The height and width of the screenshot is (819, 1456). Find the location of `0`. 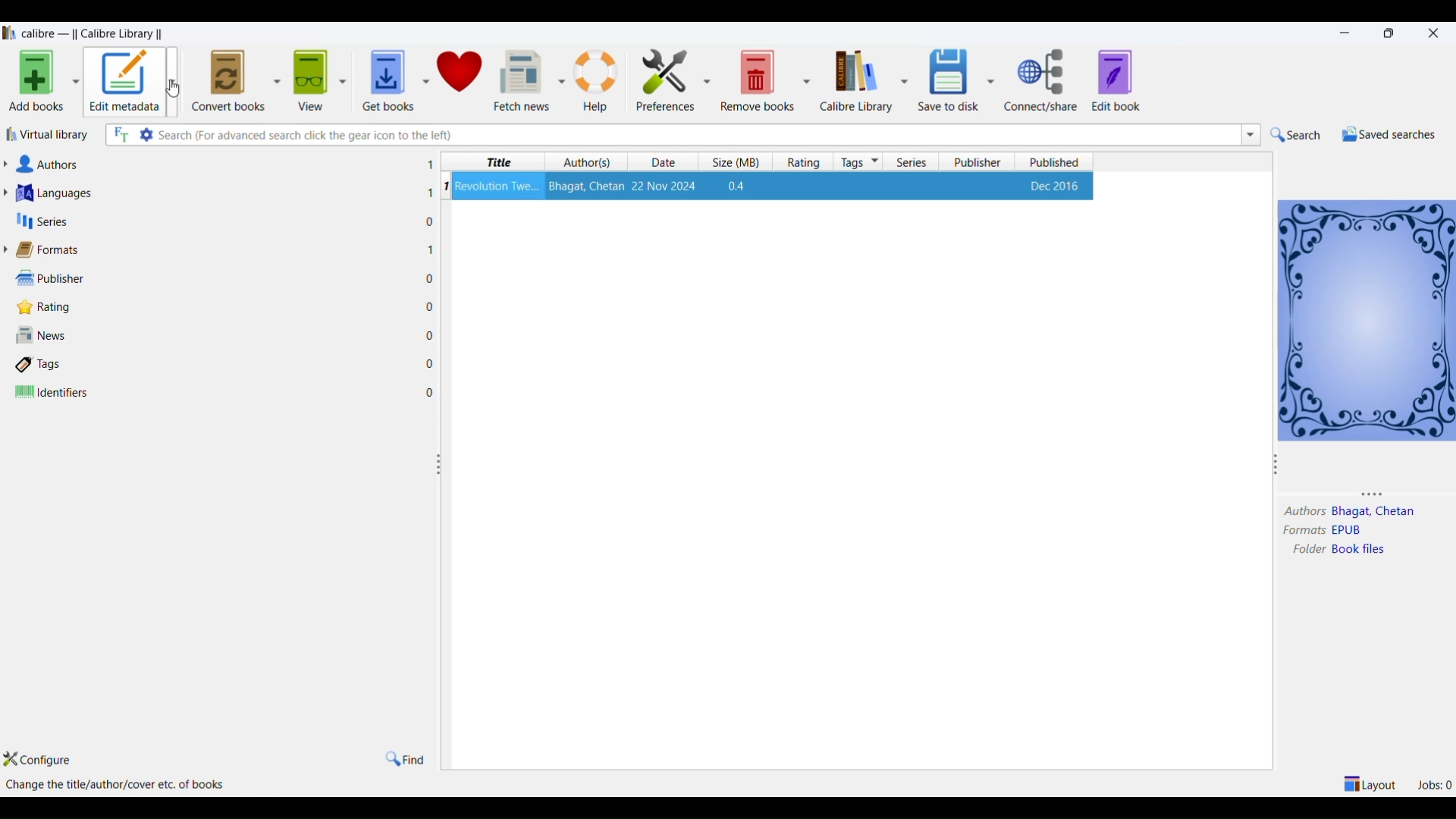

0 is located at coordinates (430, 306).